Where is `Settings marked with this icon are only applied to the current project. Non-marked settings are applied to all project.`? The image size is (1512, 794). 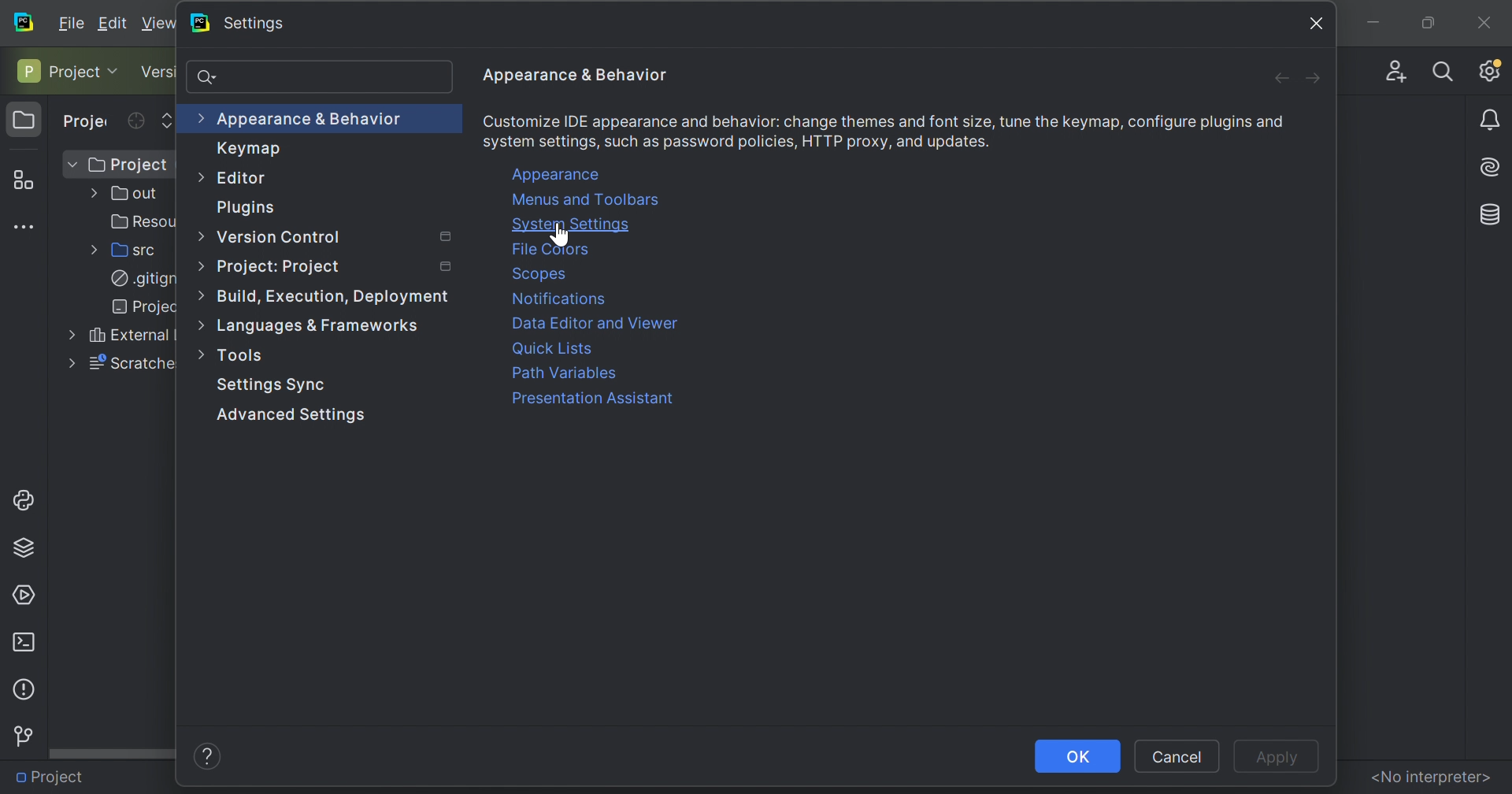
Settings marked with this icon are only applied to the current project. Non-marked settings are applied to all project. is located at coordinates (444, 237).